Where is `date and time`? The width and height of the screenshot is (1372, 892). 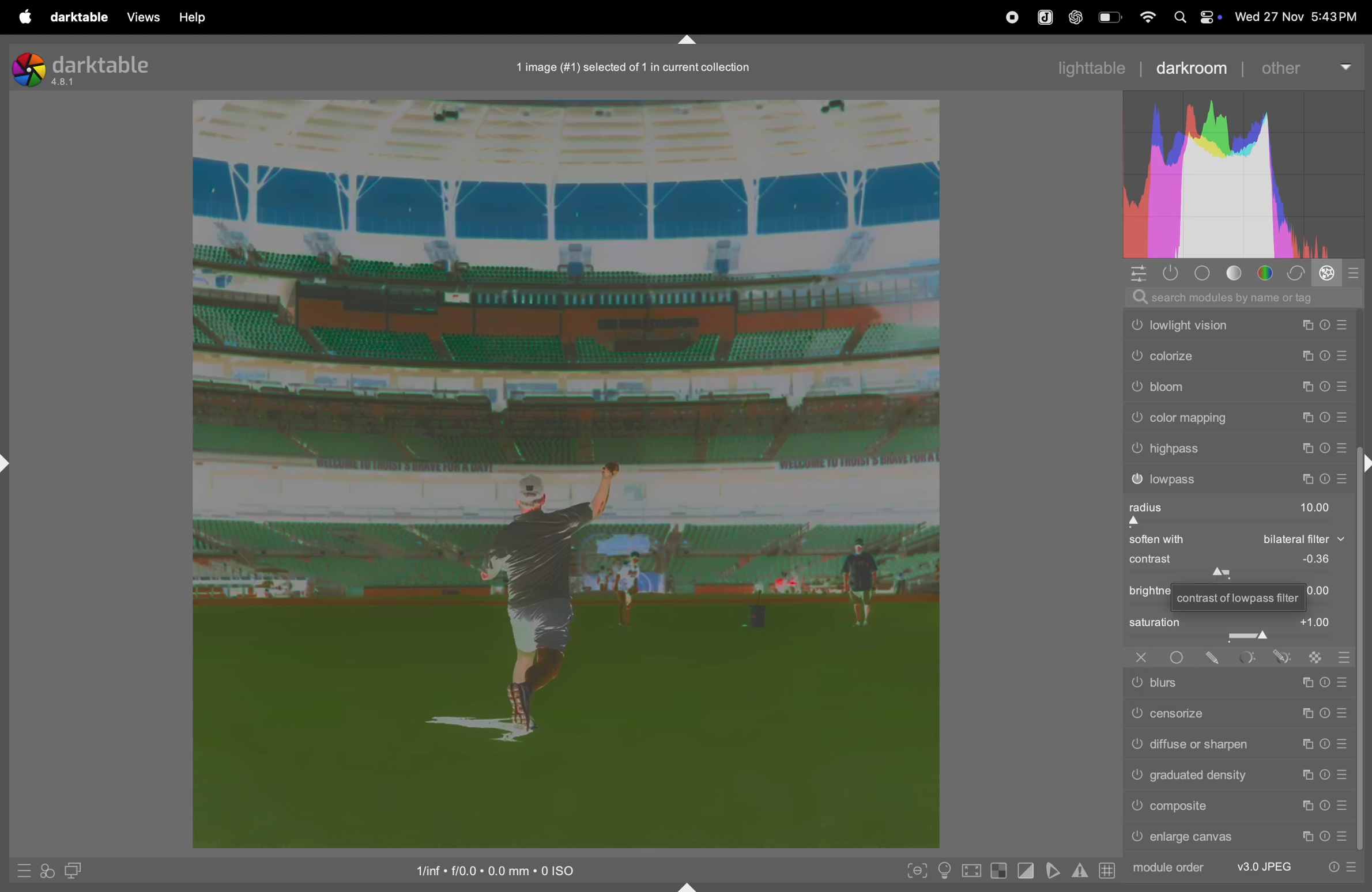 date and time is located at coordinates (1296, 14).